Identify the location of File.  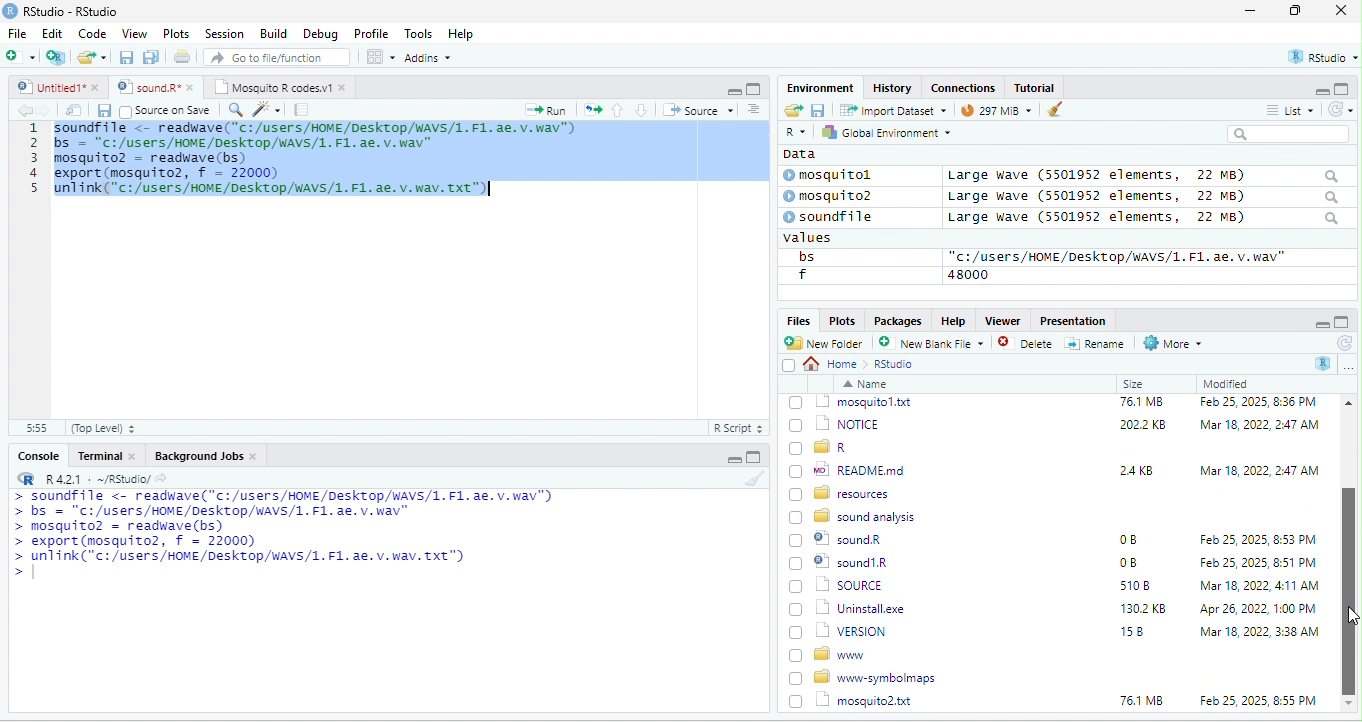
(17, 33).